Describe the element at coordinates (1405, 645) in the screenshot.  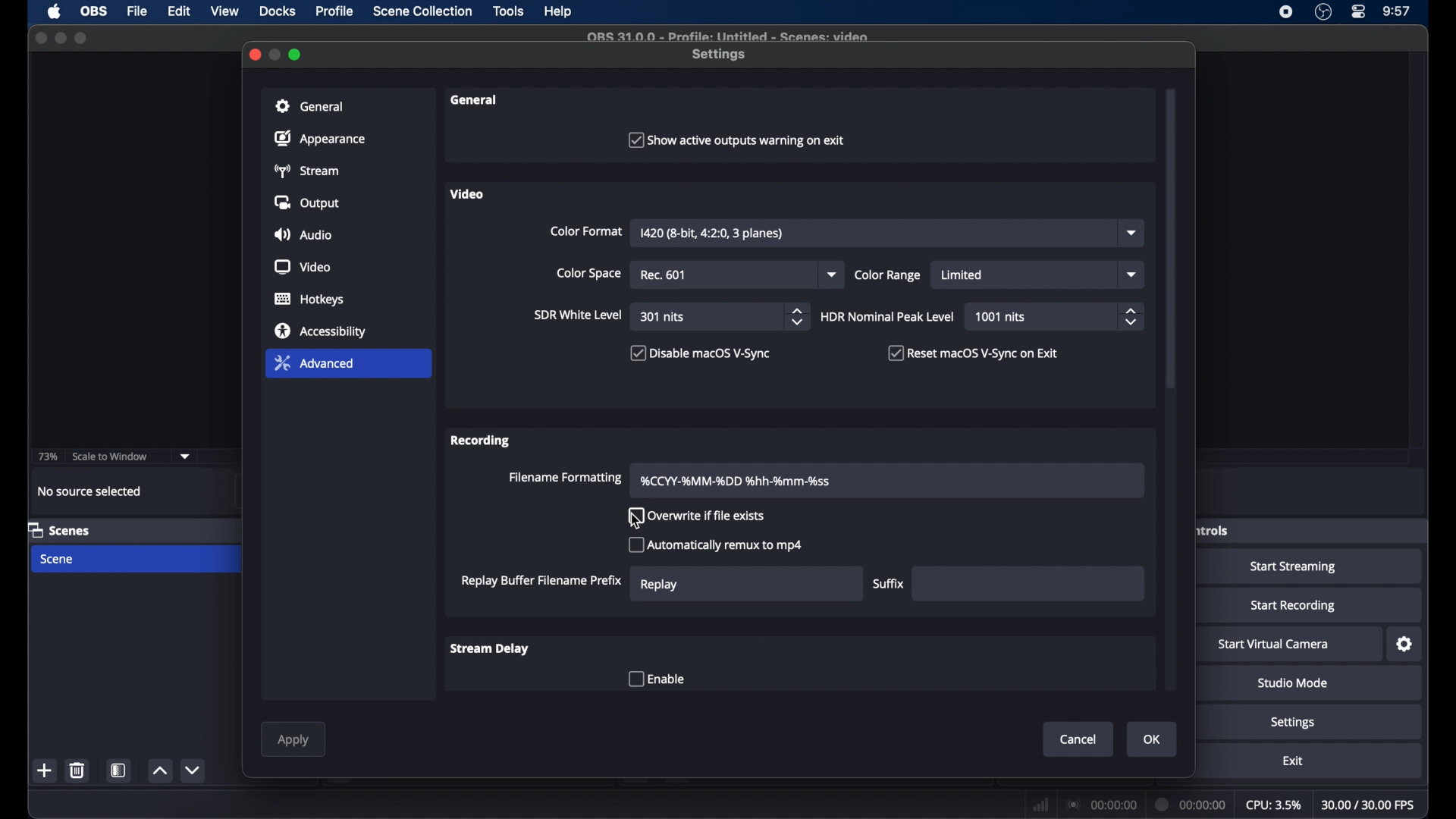
I see `settings` at that location.